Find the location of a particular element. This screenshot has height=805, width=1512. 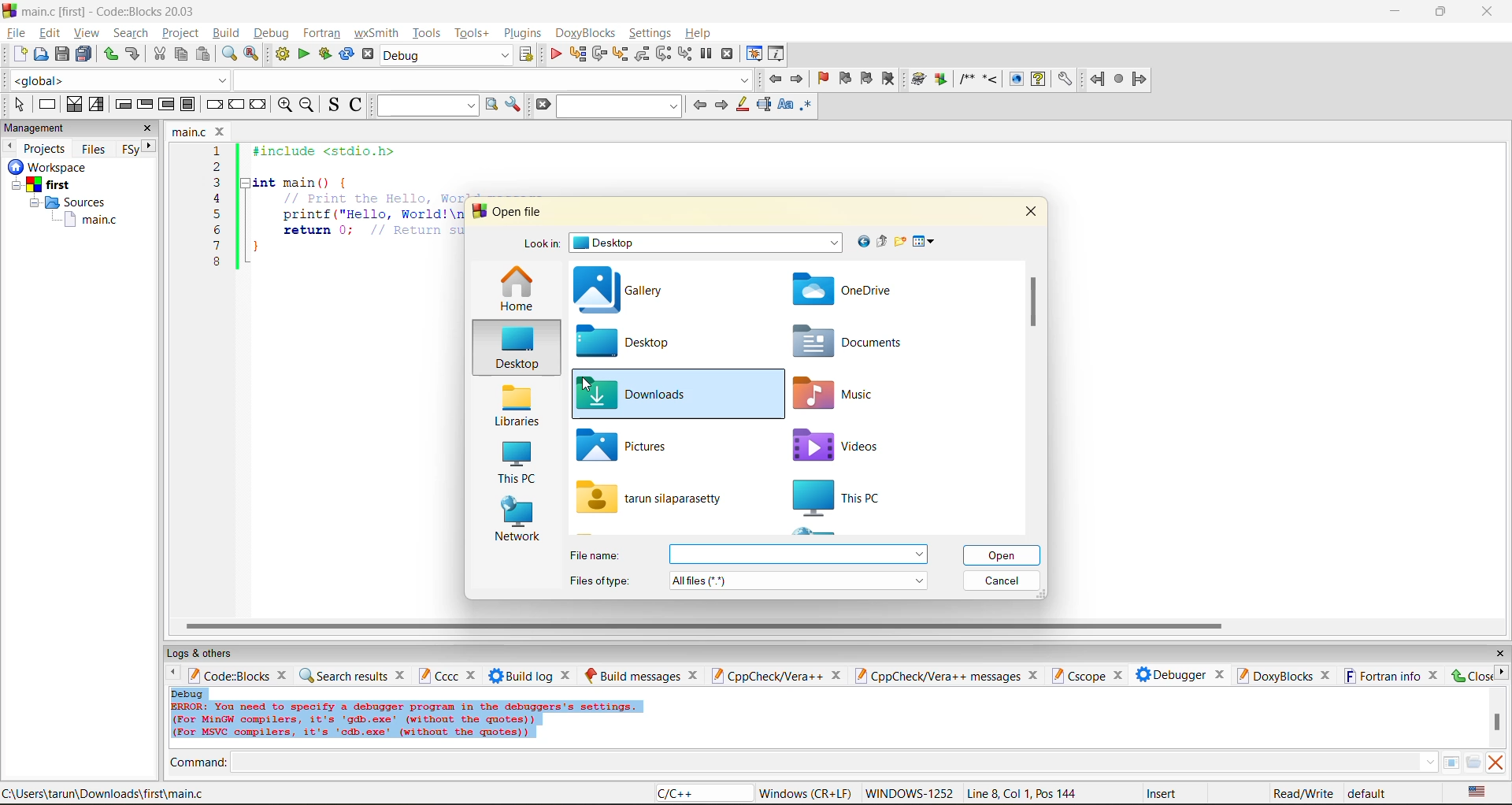

copy is located at coordinates (182, 54).